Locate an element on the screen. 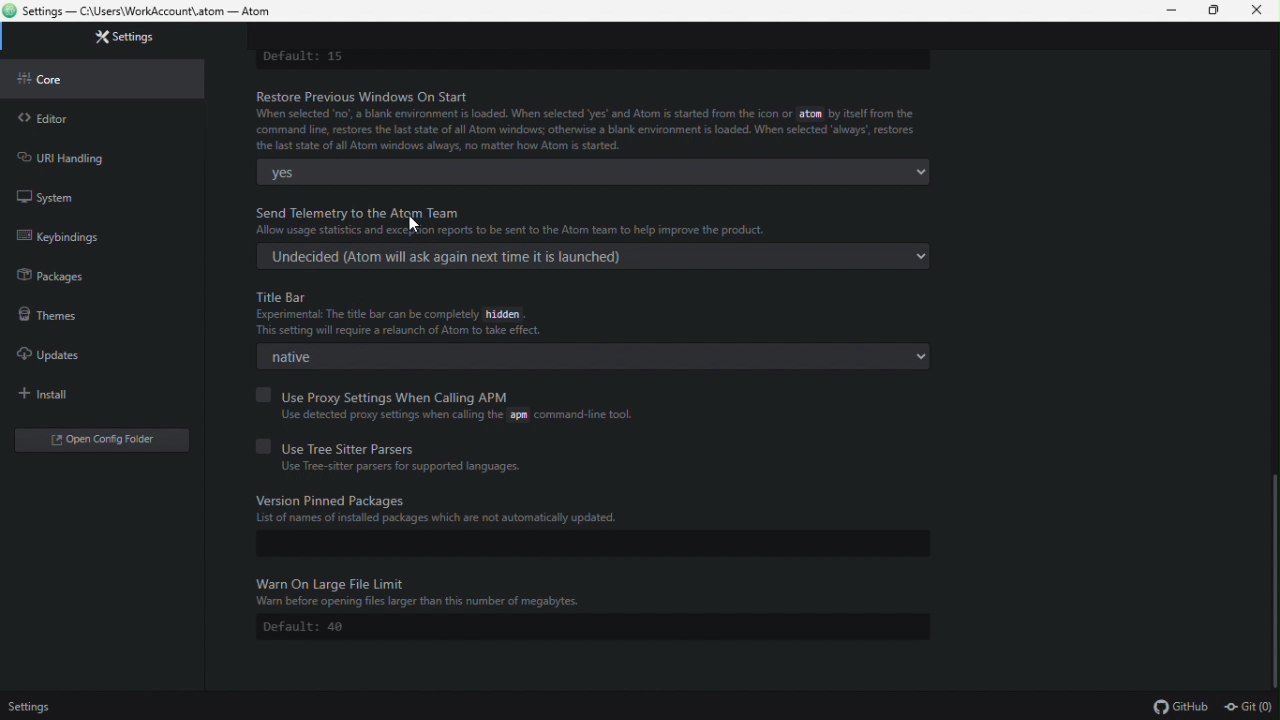 This screenshot has width=1280, height=720. editor is located at coordinates (96, 118).